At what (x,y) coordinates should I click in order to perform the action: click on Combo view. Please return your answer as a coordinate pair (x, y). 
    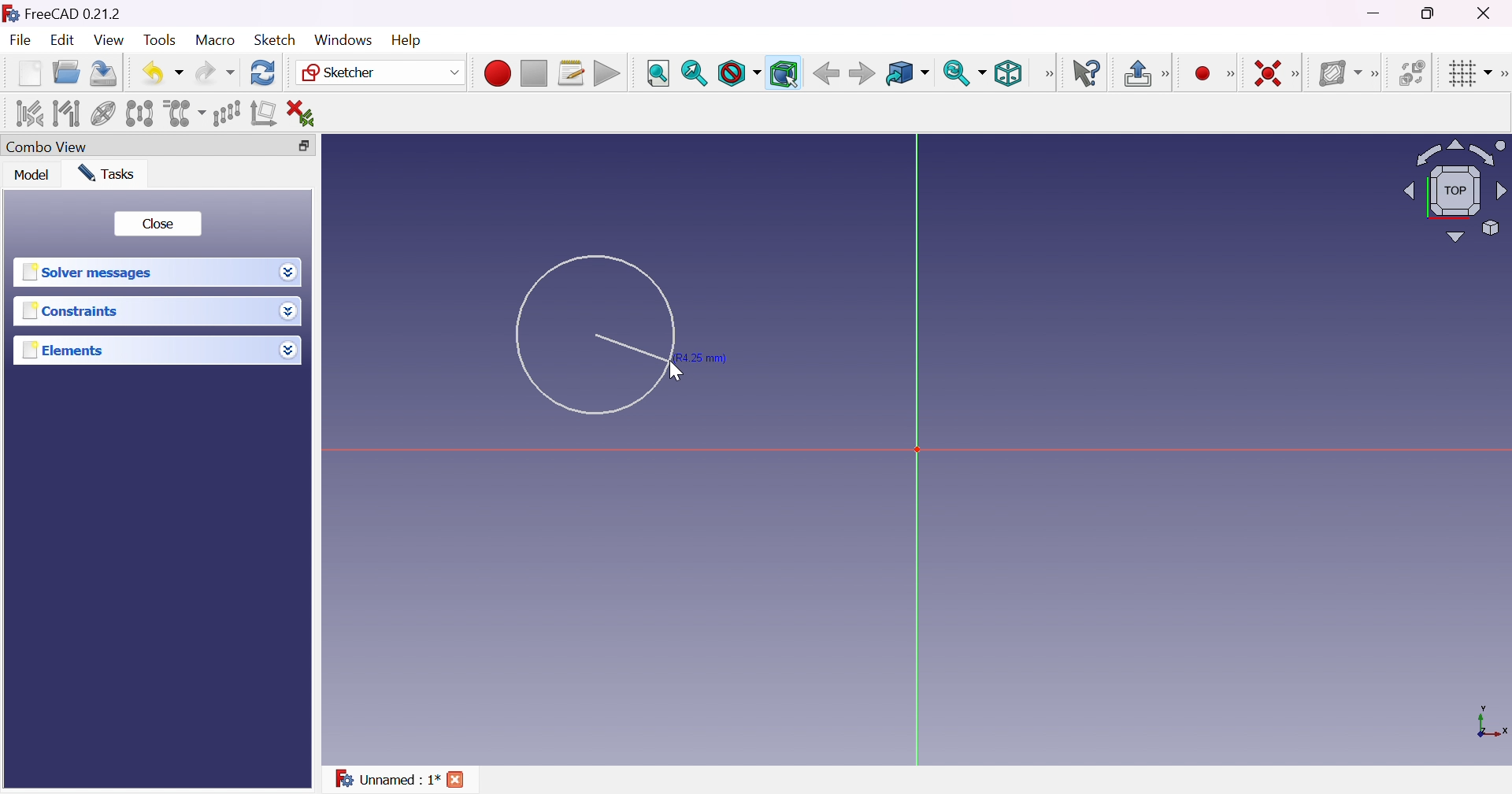
    Looking at the image, I should click on (48, 145).